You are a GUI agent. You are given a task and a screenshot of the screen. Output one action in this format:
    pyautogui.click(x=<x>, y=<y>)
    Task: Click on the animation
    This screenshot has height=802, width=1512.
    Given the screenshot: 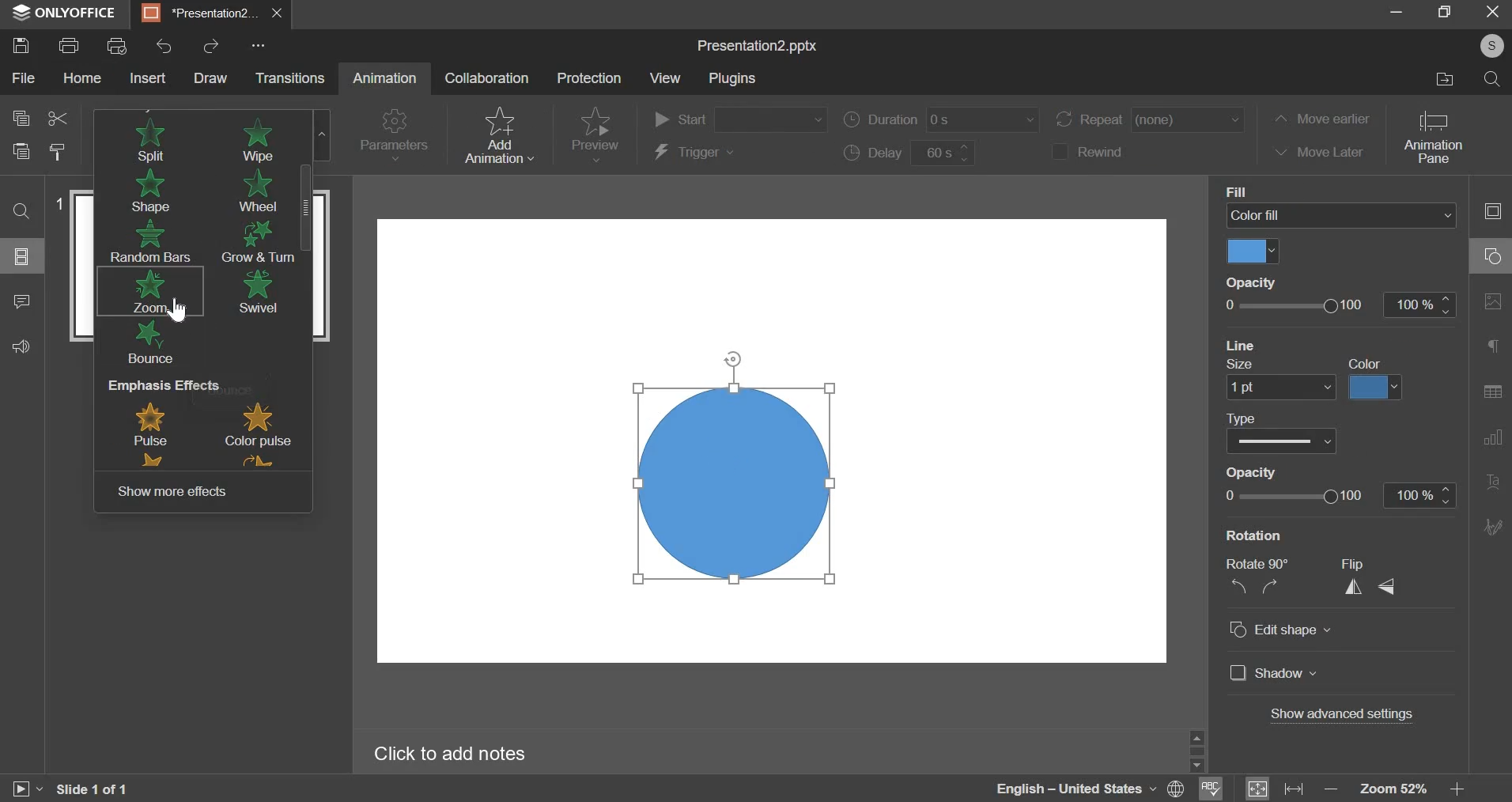 What is the action you would take?
    pyautogui.click(x=385, y=75)
    